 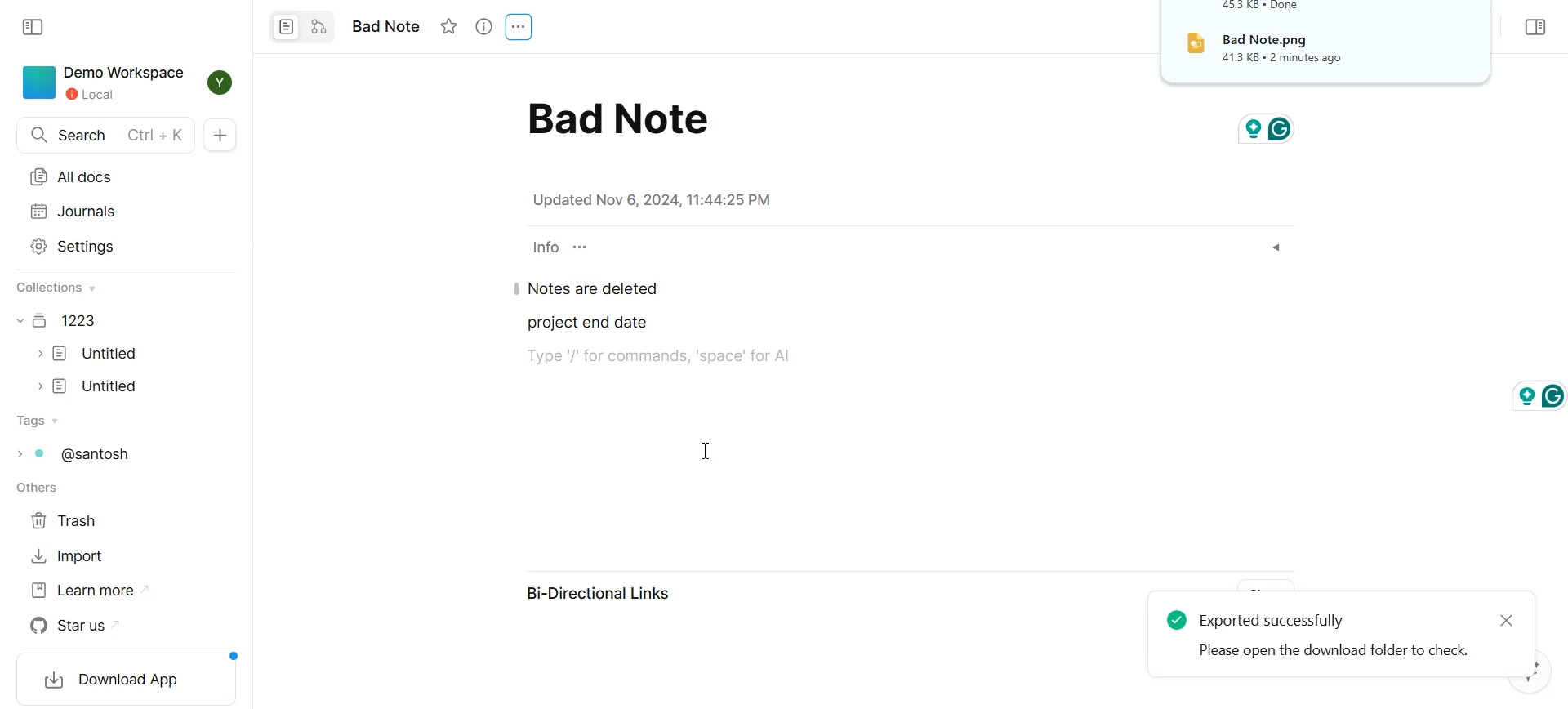 I want to click on Collapse sidebar, so click(x=33, y=27).